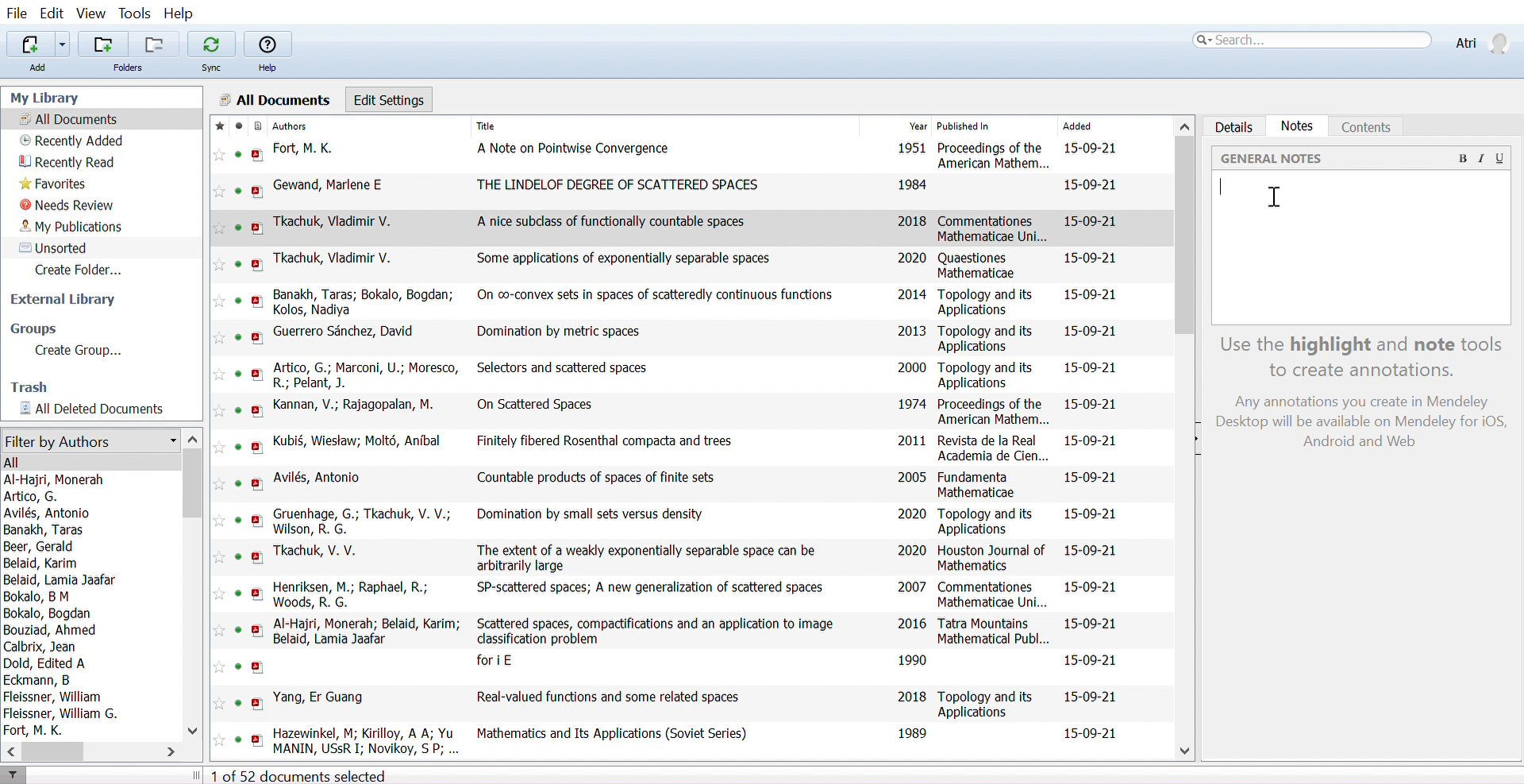 This screenshot has width=1524, height=784. I want to click on Fleissner, William, so click(53, 697).